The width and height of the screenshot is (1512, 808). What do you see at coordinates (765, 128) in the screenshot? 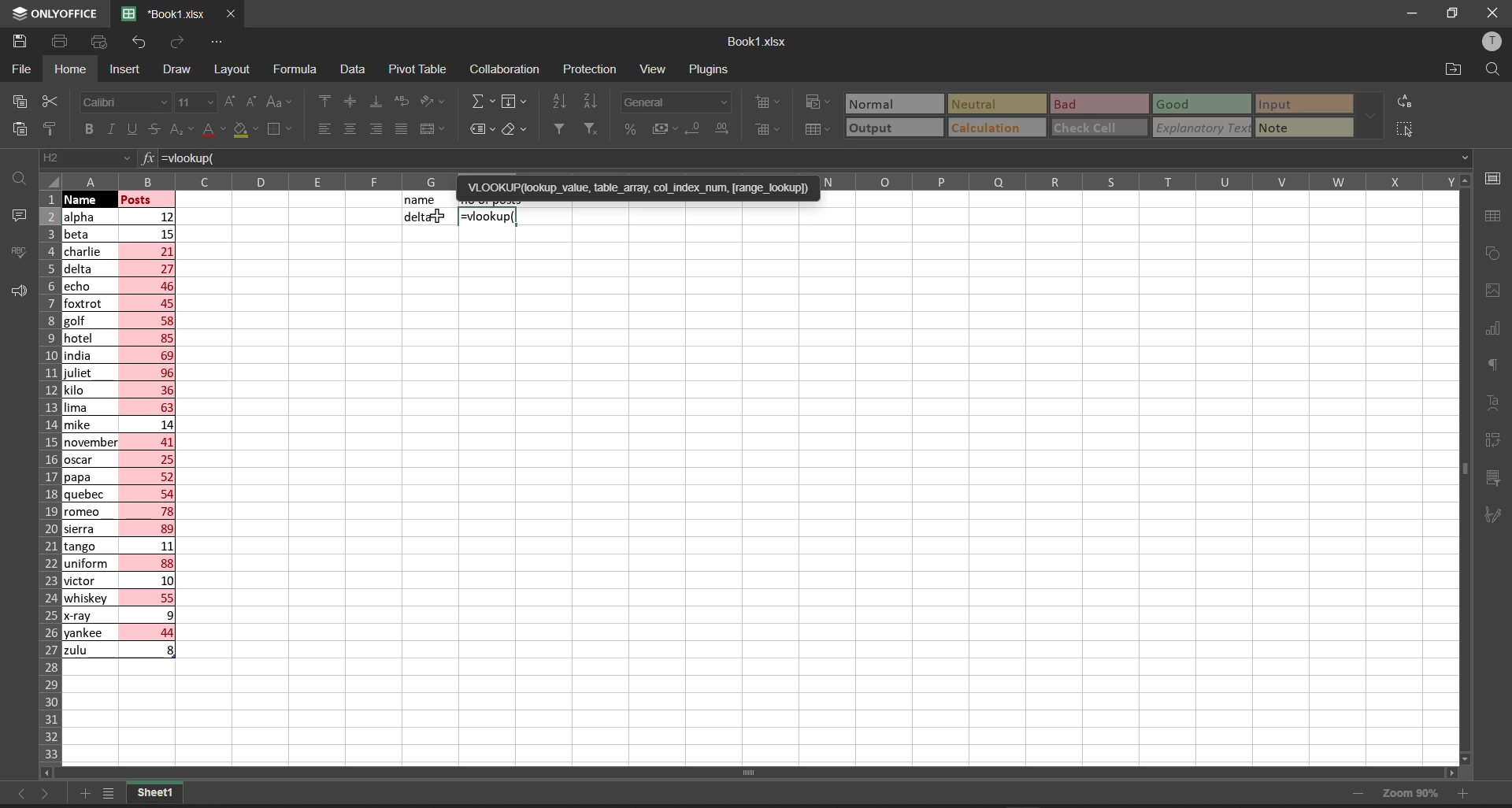
I see `delete cells` at bounding box center [765, 128].